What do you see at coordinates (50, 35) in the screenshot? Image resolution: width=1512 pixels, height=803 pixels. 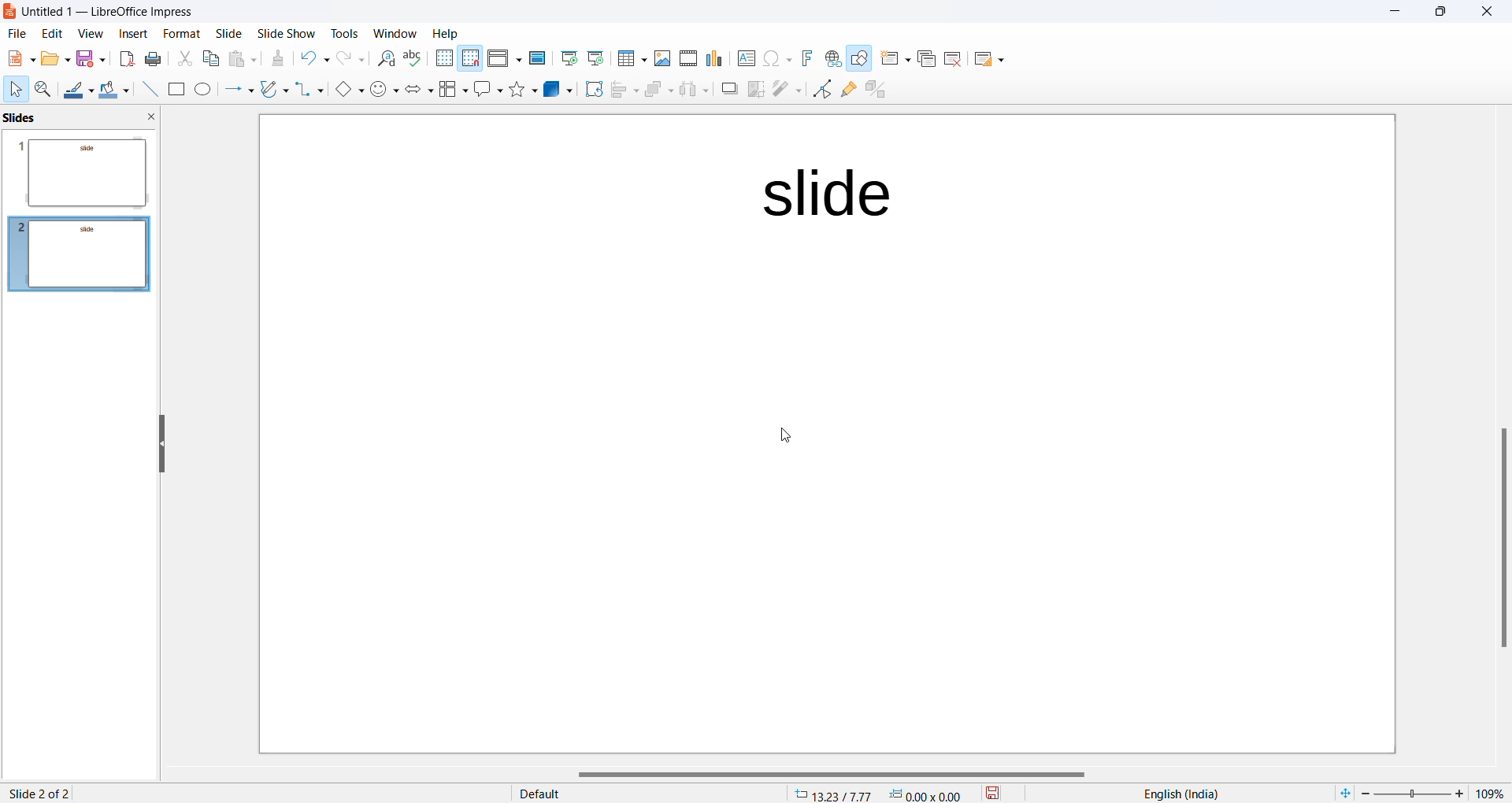 I see `edit` at bounding box center [50, 35].